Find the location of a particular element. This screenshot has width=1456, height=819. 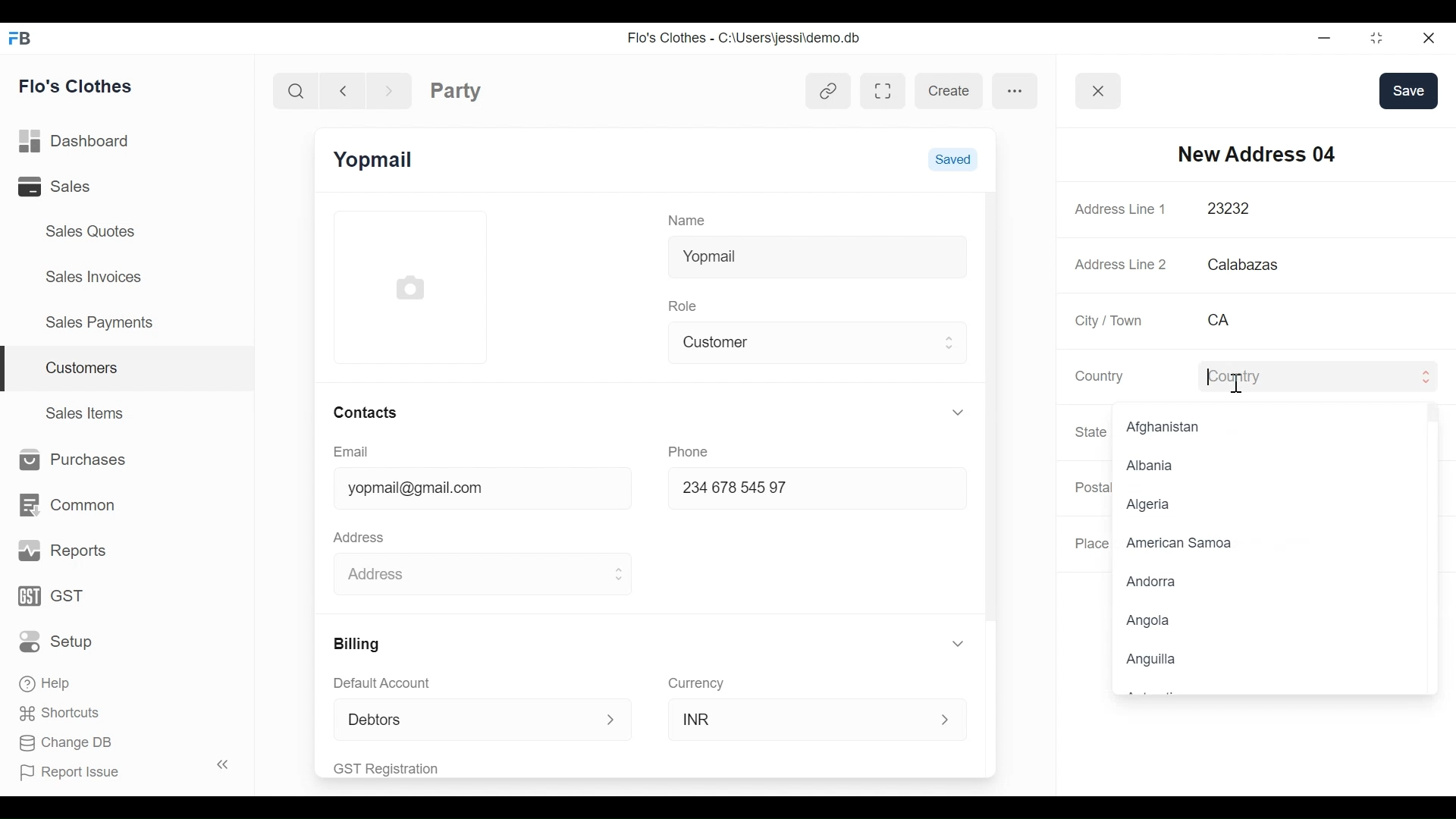

Shortcuts is located at coordinates (55, 712).